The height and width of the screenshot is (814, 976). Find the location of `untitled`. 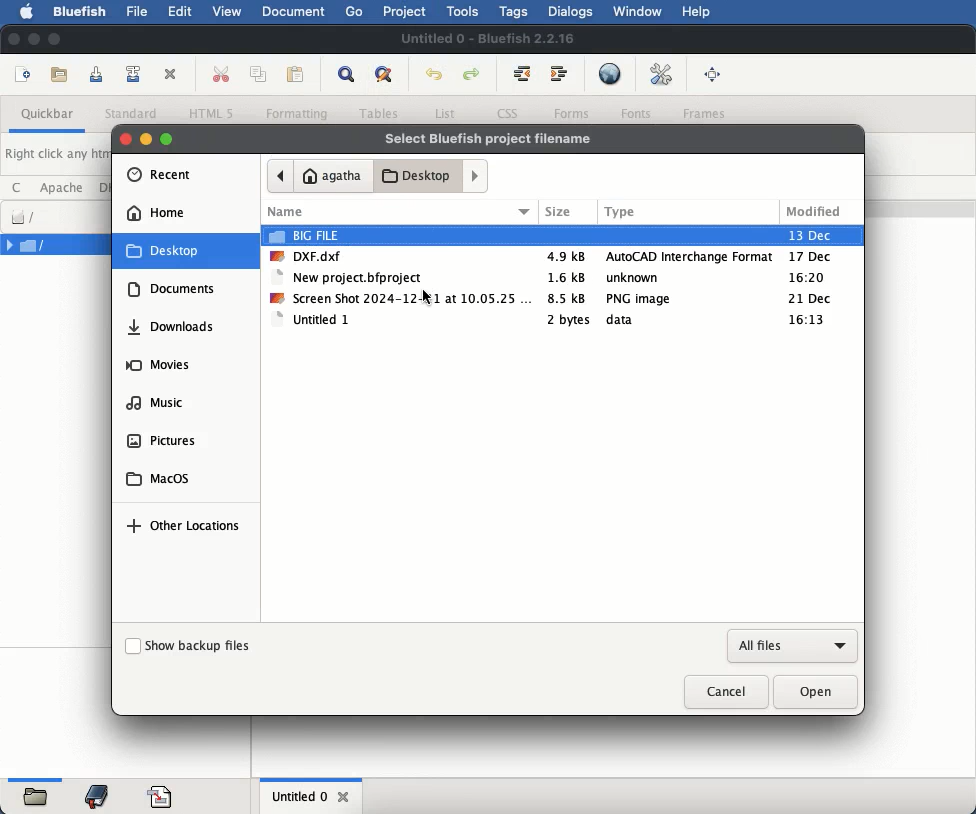

untitled is located at coordinates (311, 321).